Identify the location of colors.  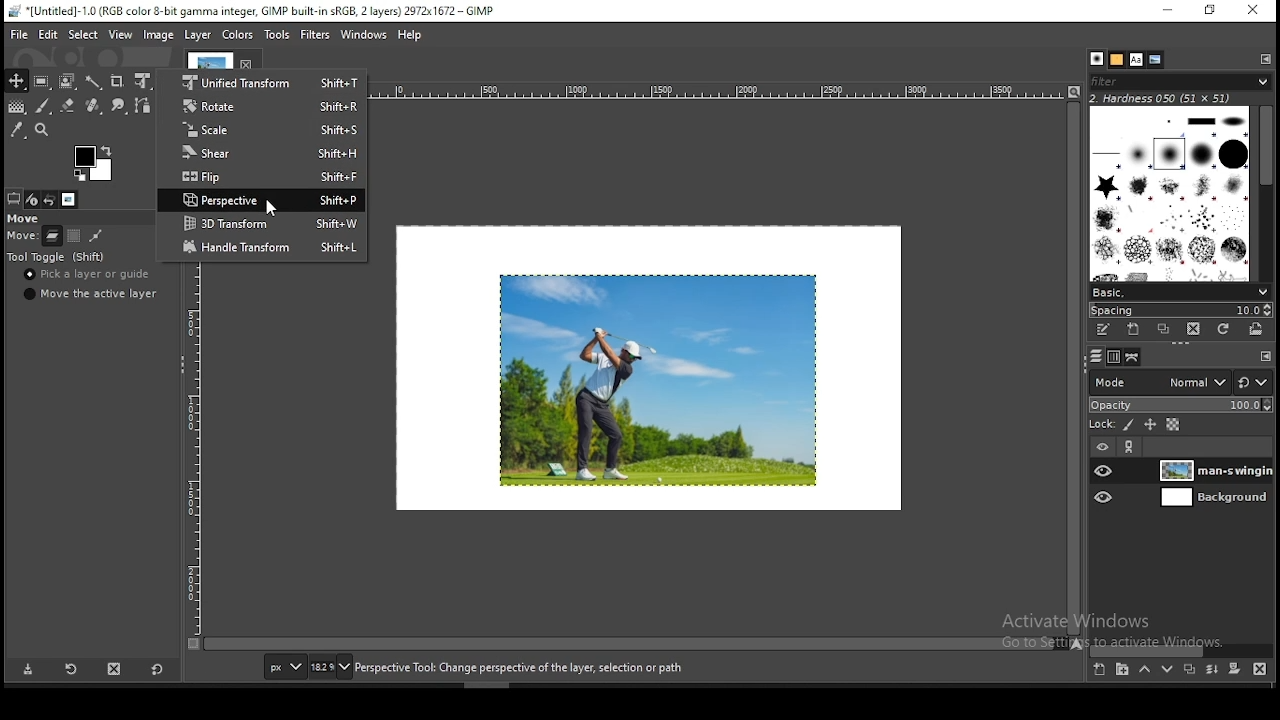
(94, 163).